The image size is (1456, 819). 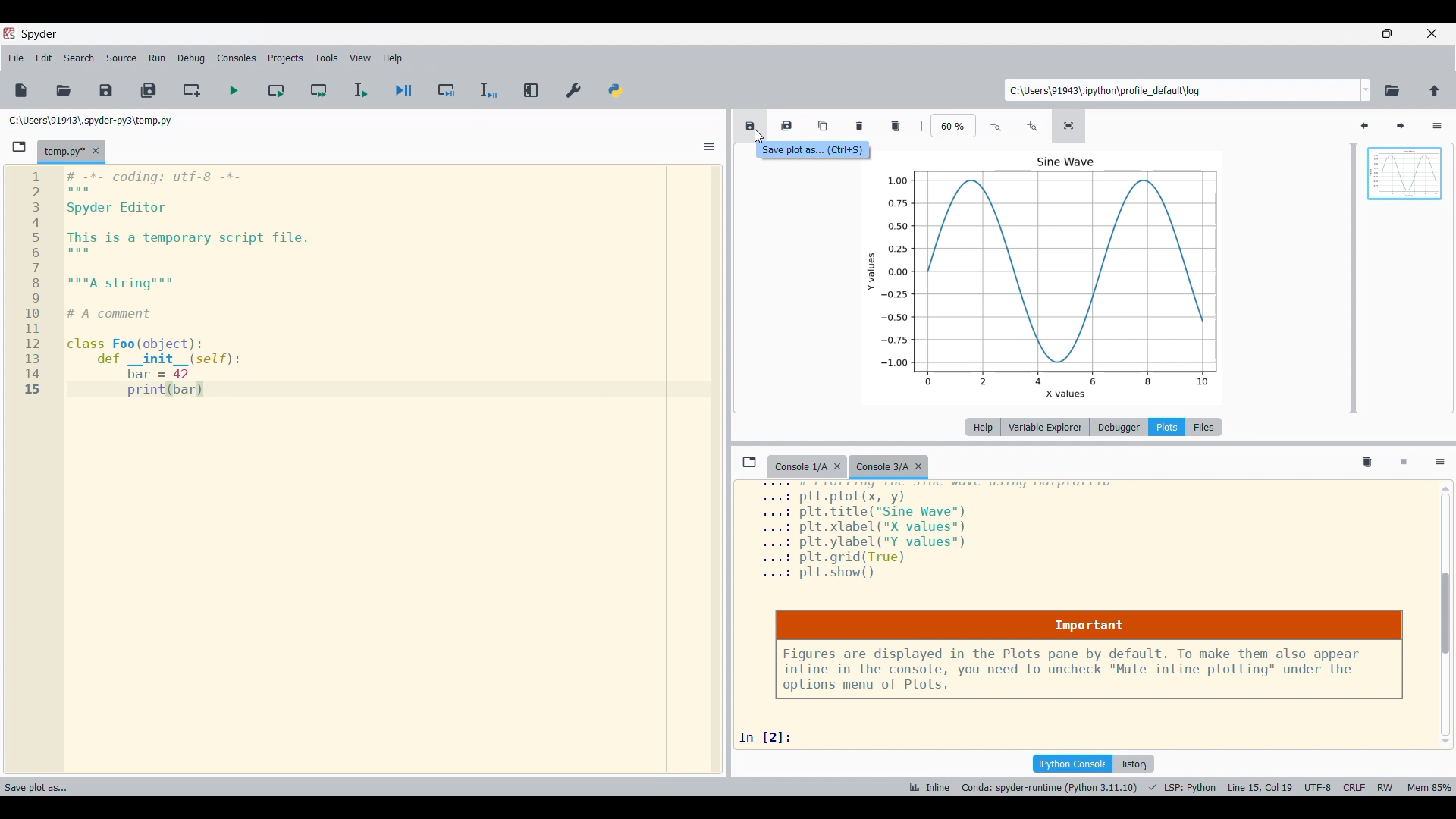 What do you see at coordinates (488, 90) in the screenshot?
I see `Debug selection/current line` at bounding box center [488, 90].